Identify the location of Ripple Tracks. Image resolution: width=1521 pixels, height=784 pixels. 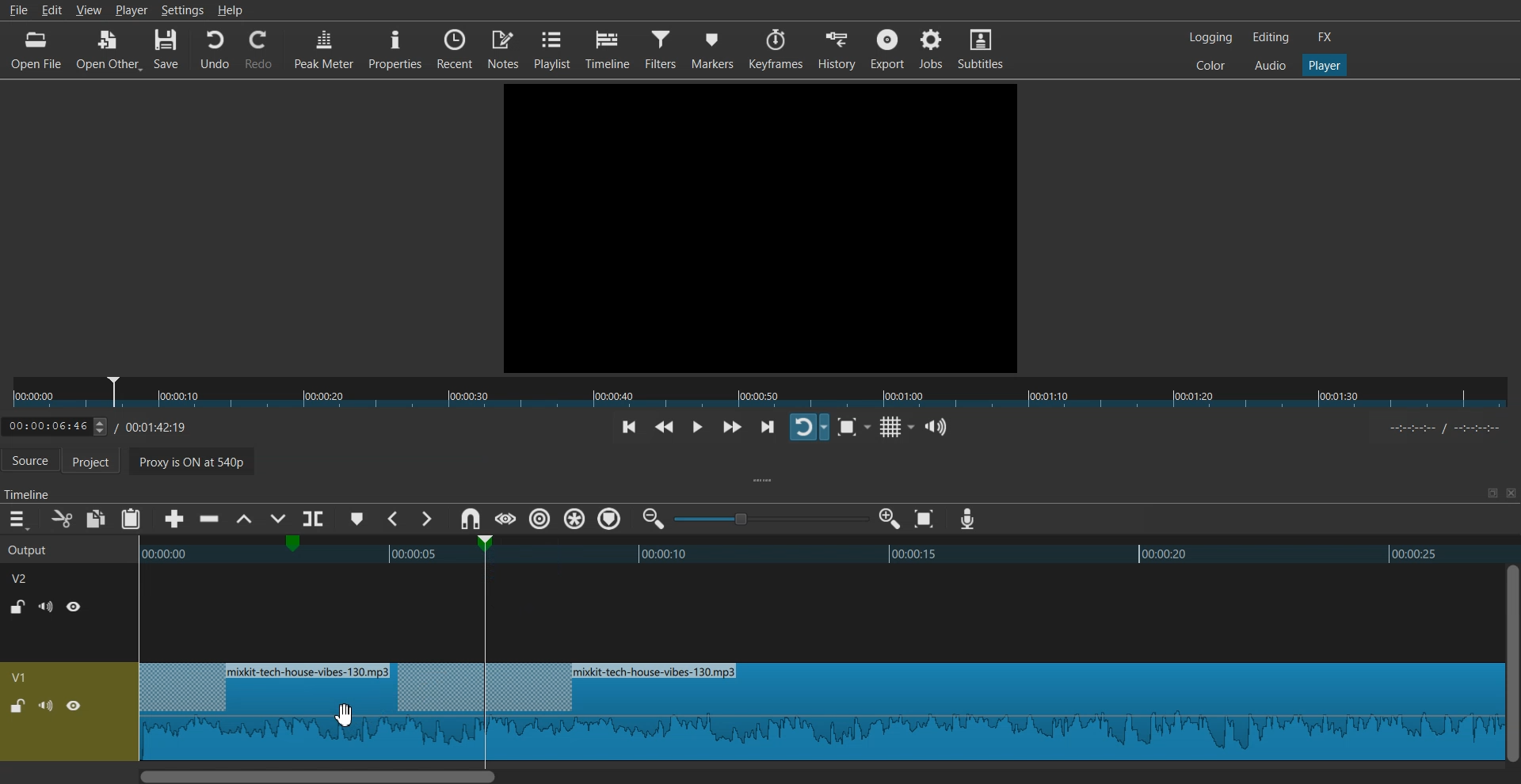
(611, 519).